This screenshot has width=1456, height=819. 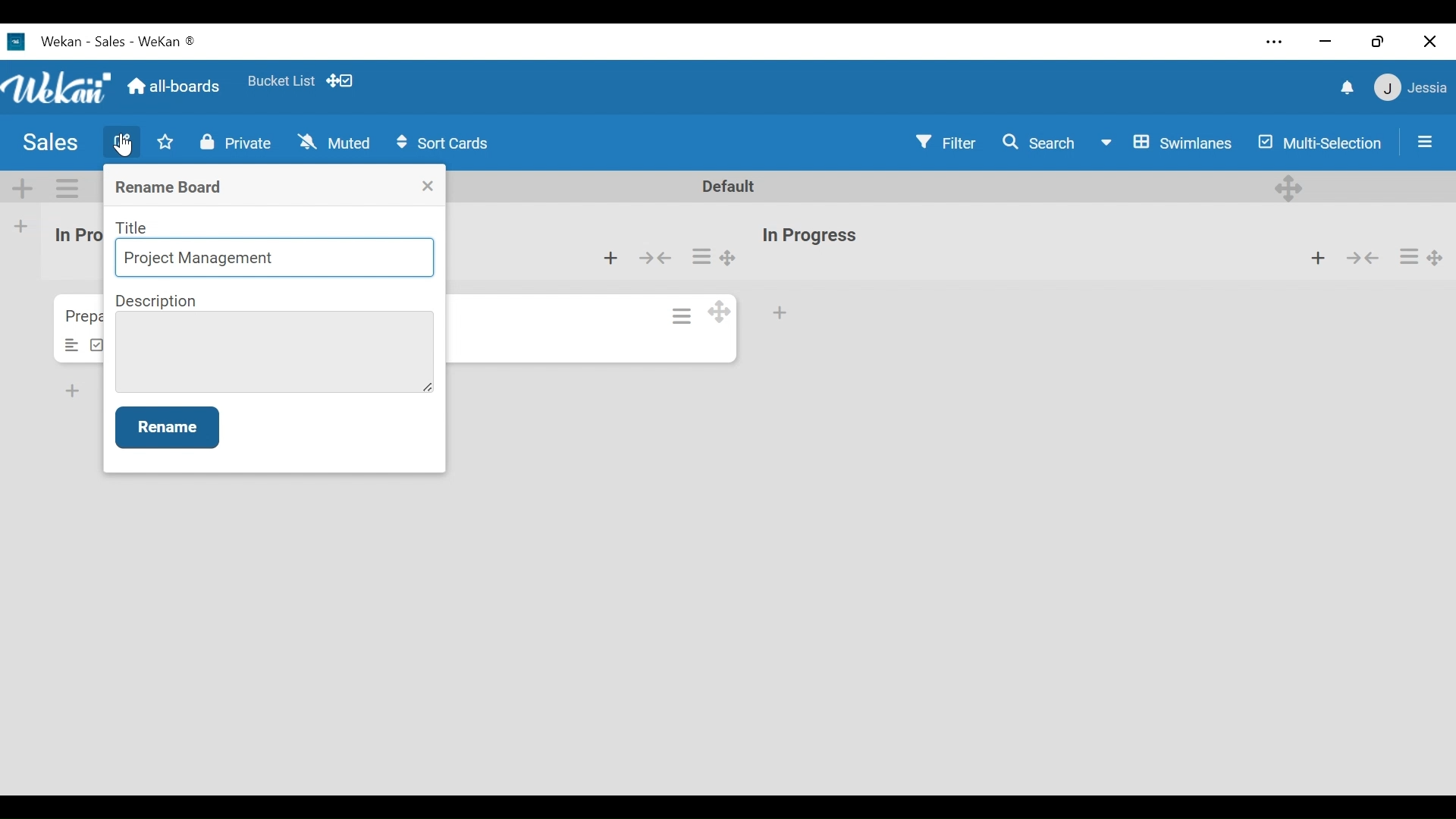 I want to click on Card actions, so click(x=683, y=315).